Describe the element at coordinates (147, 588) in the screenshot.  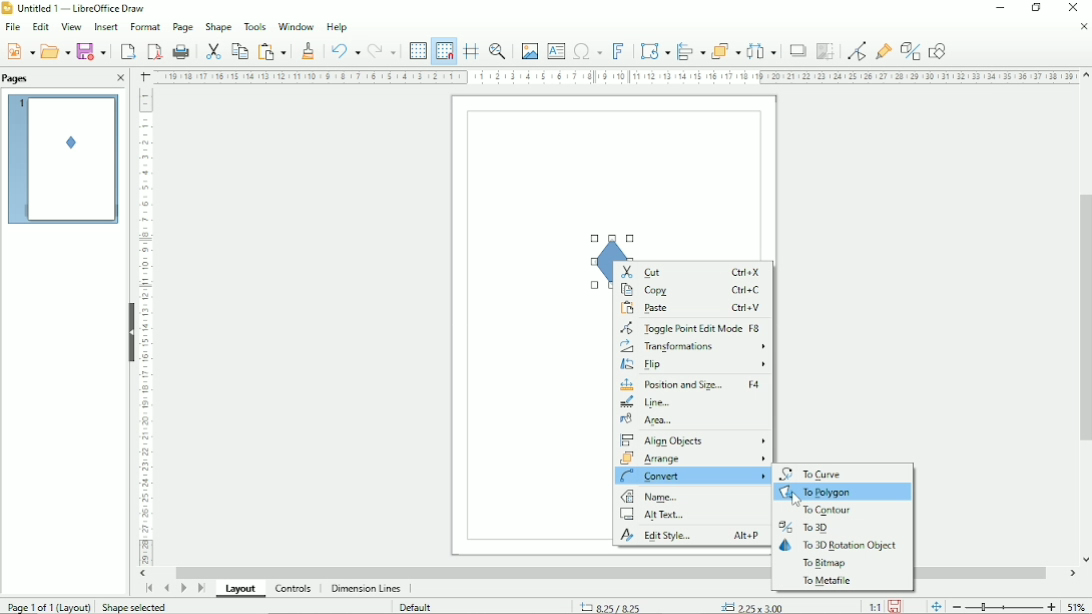
I see `Scroll to first page` at that location.